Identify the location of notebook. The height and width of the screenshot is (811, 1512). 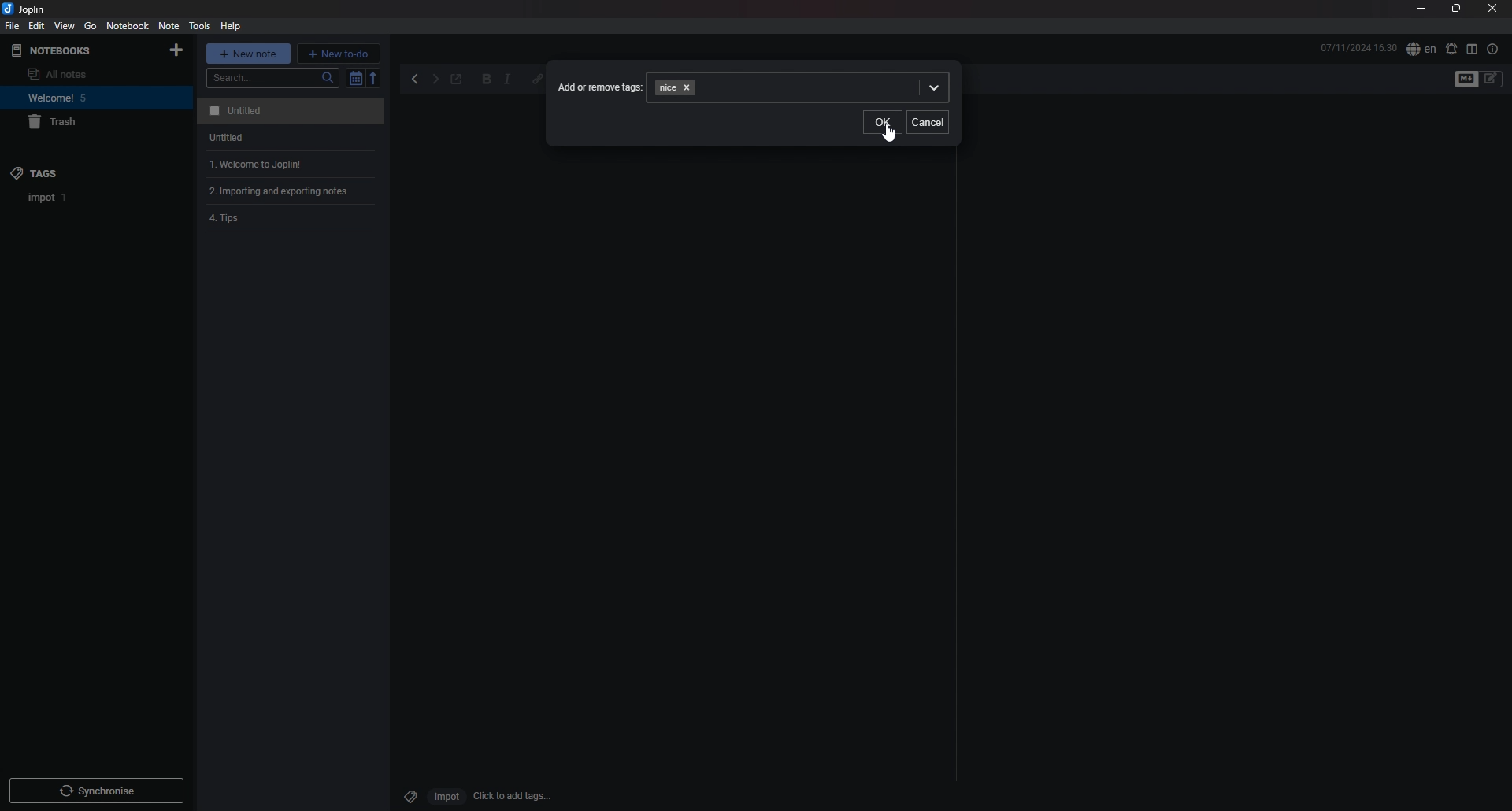
(80, 98).